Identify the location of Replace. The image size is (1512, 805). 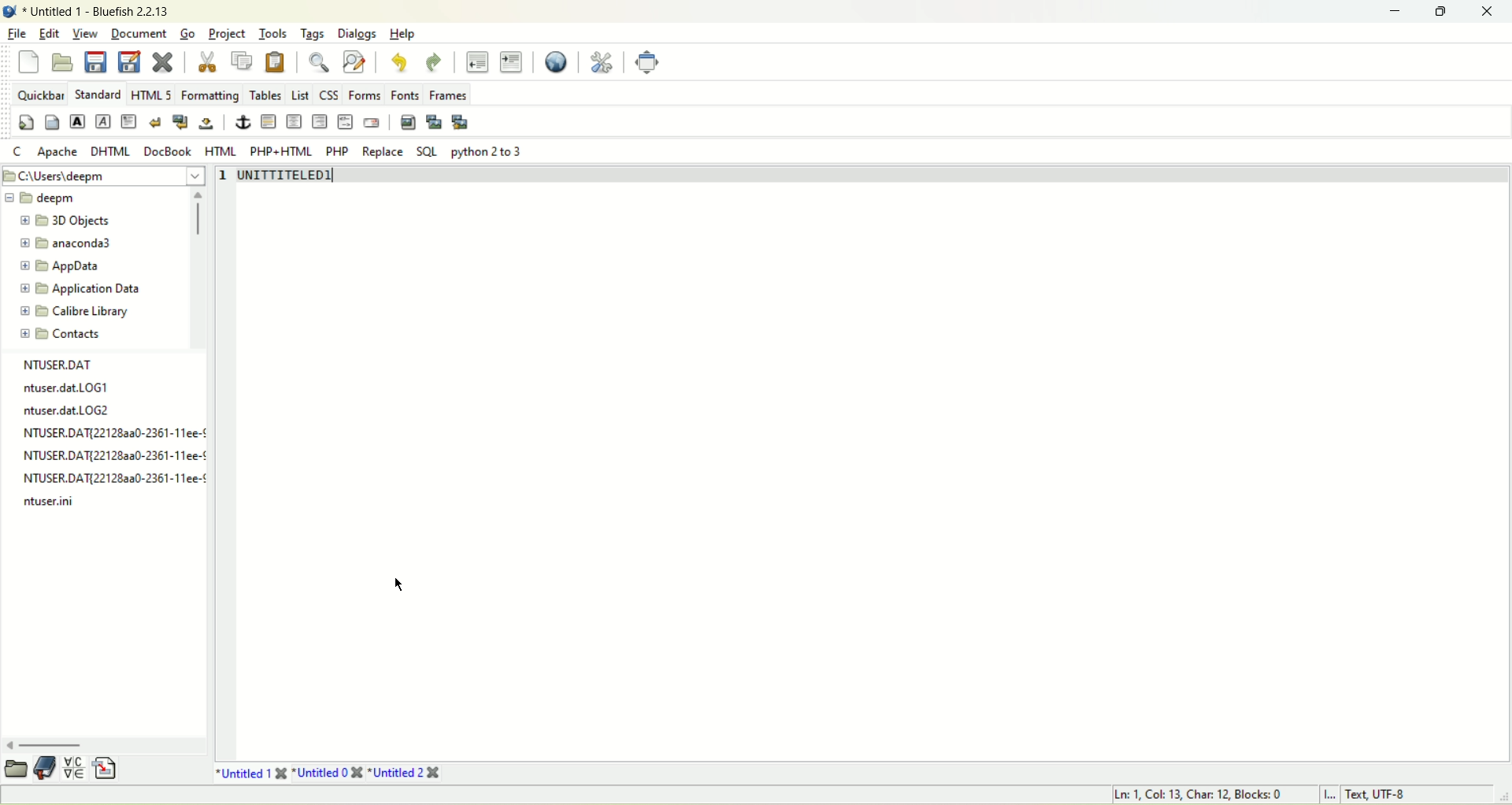
(383, 152).